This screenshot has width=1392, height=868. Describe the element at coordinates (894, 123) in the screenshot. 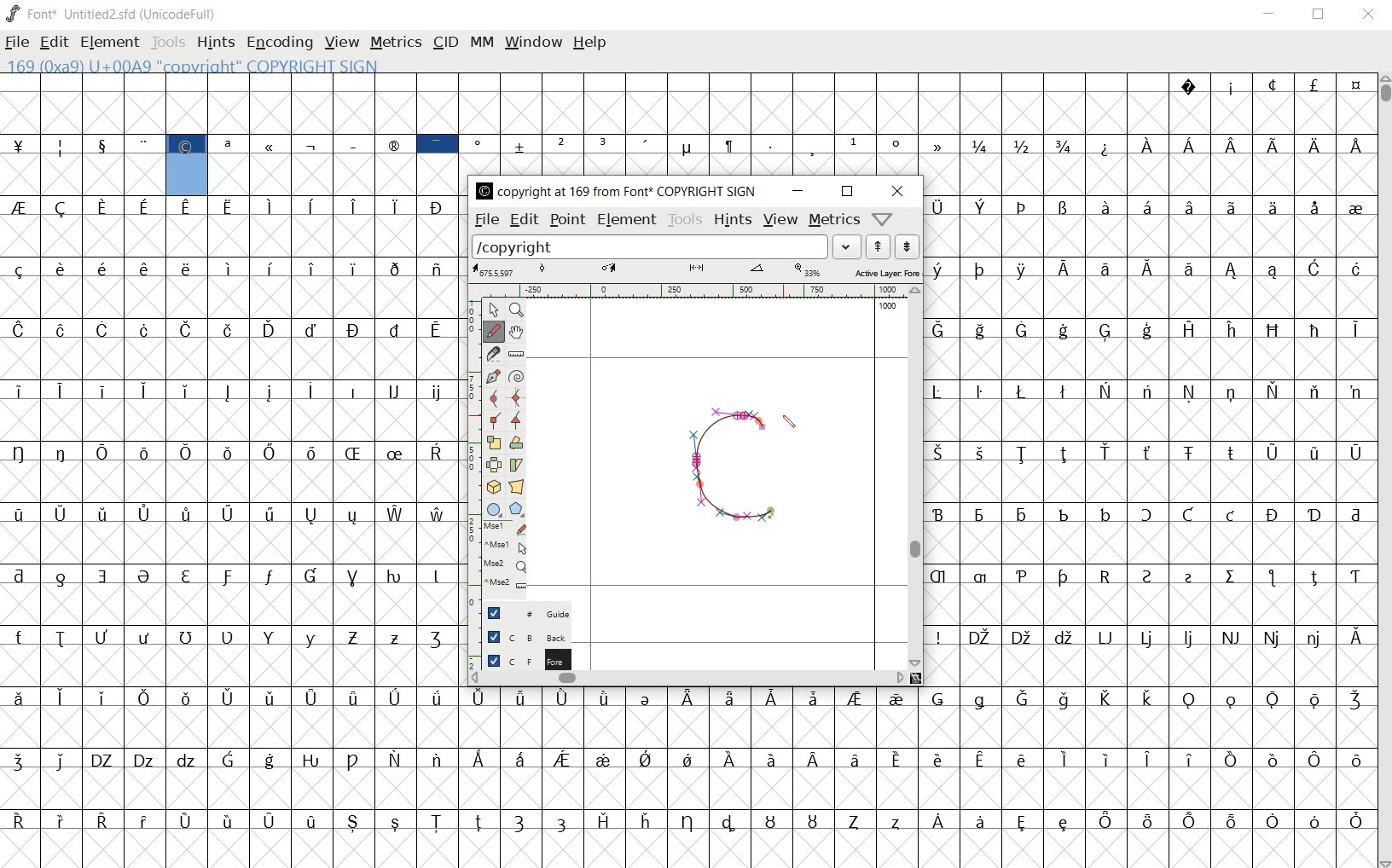

I see `glyph characters` at that location.